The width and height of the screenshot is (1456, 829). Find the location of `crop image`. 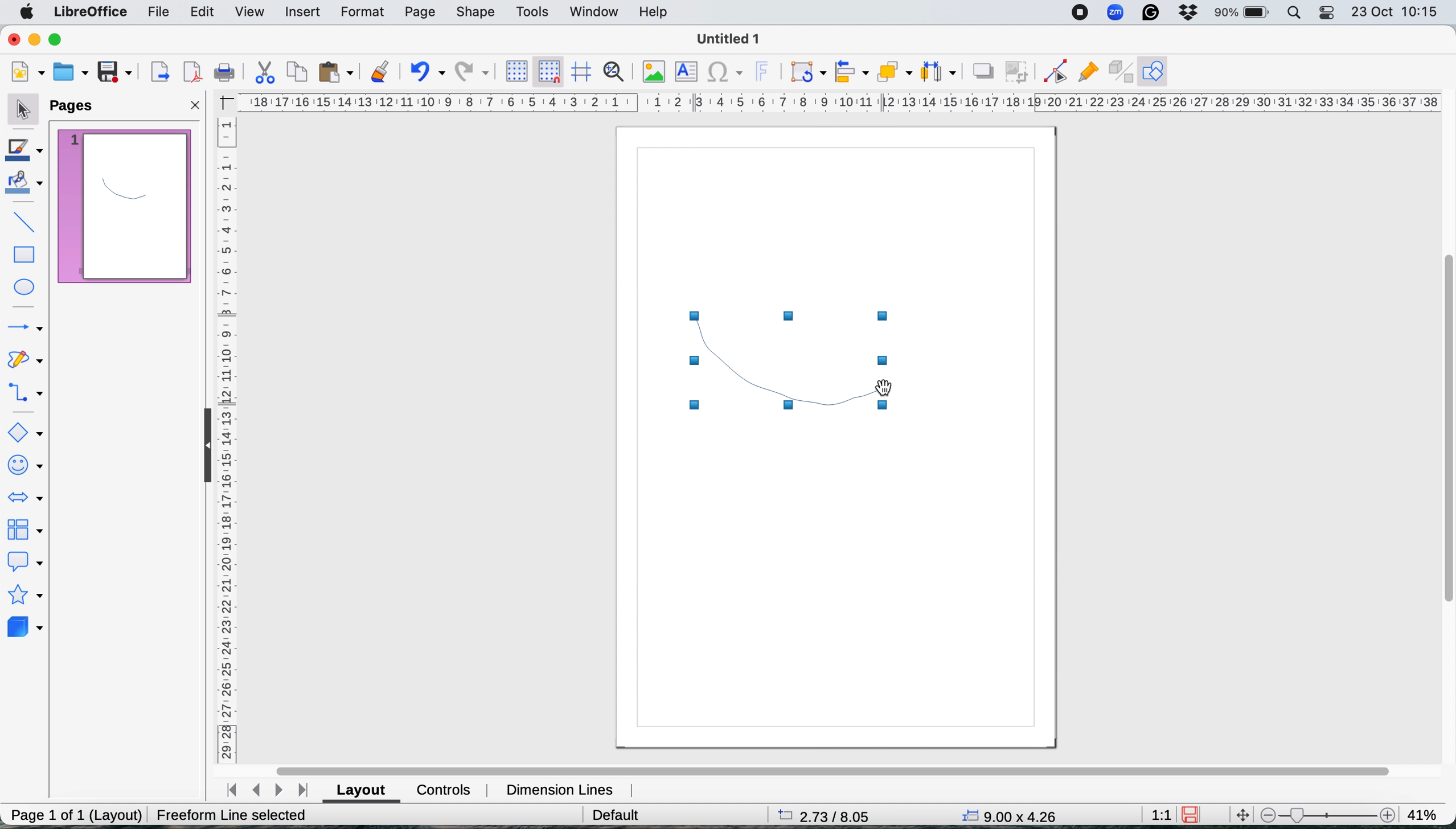

crop image is located at coordinates (1019, 73).